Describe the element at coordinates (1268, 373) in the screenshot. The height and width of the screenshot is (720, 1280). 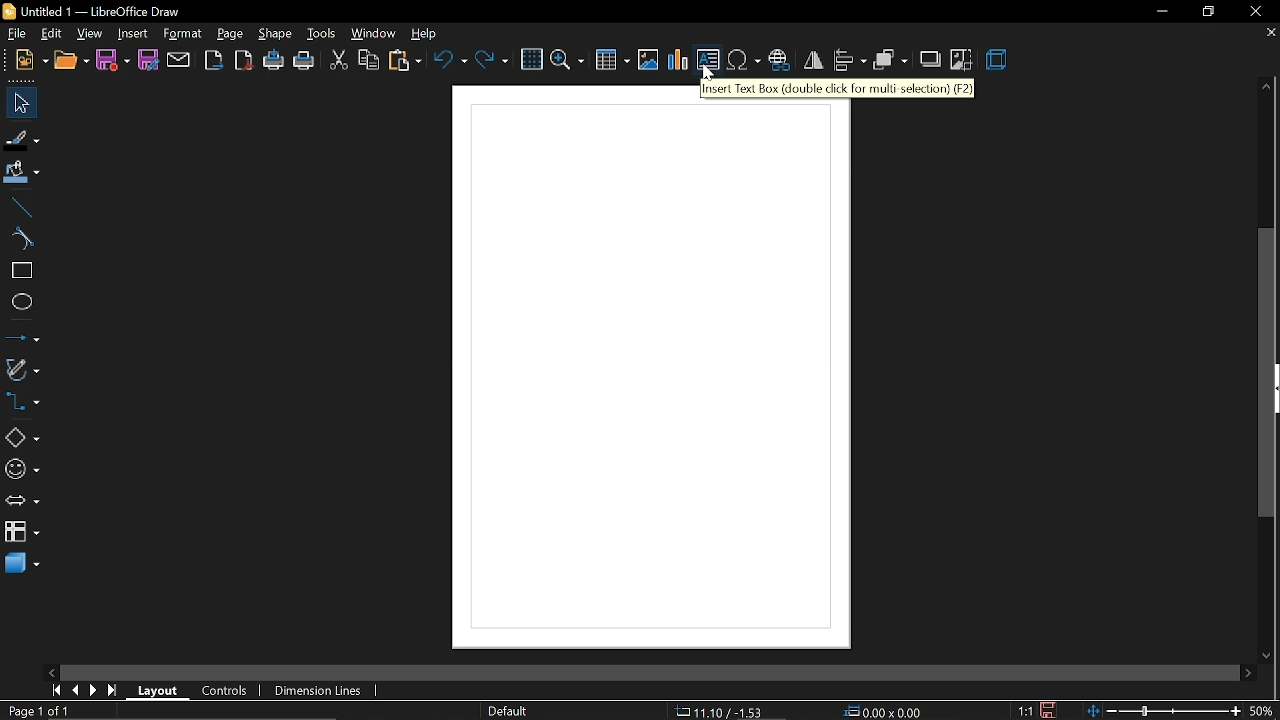
I see `vertical scrollbar` at that location.